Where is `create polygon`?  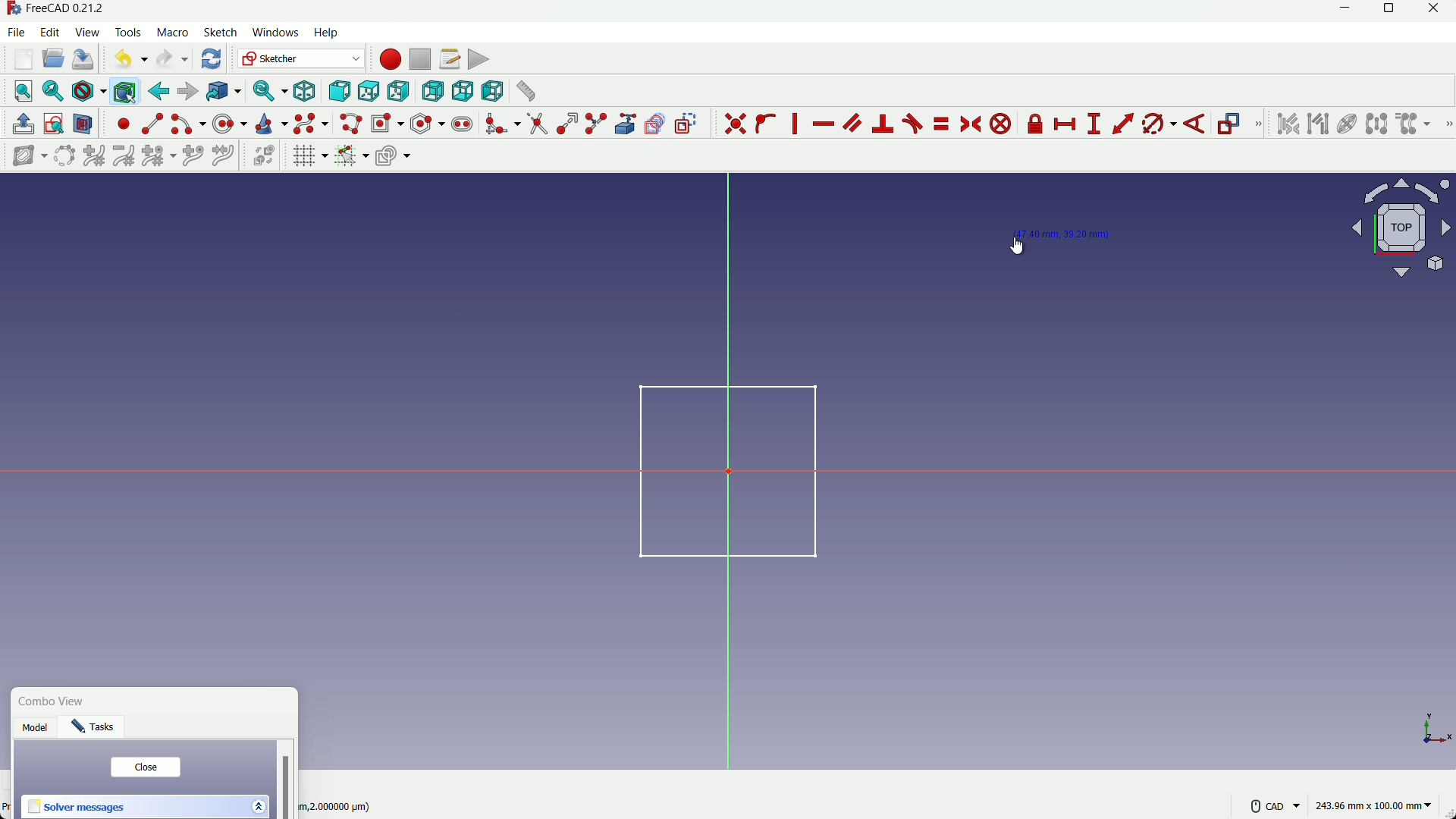 create polygon is located at coordinates (428, 123).